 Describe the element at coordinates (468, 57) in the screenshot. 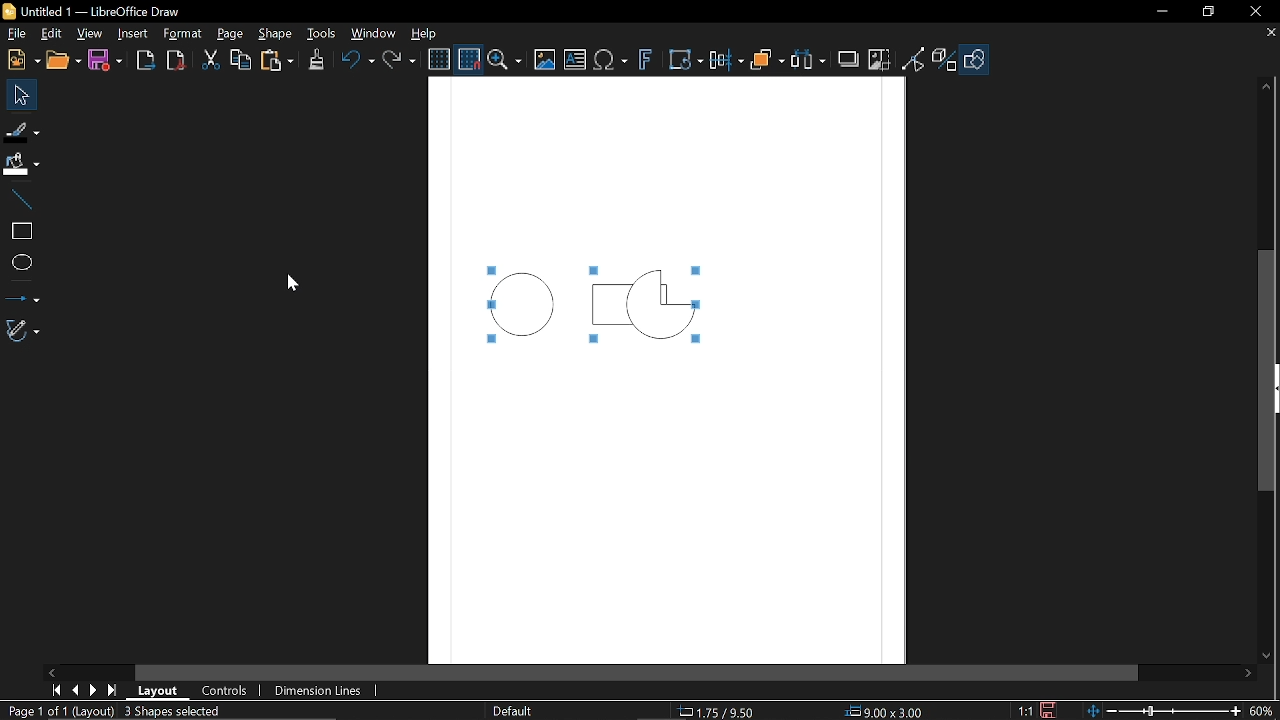

I see `Snap to grid` at that location.